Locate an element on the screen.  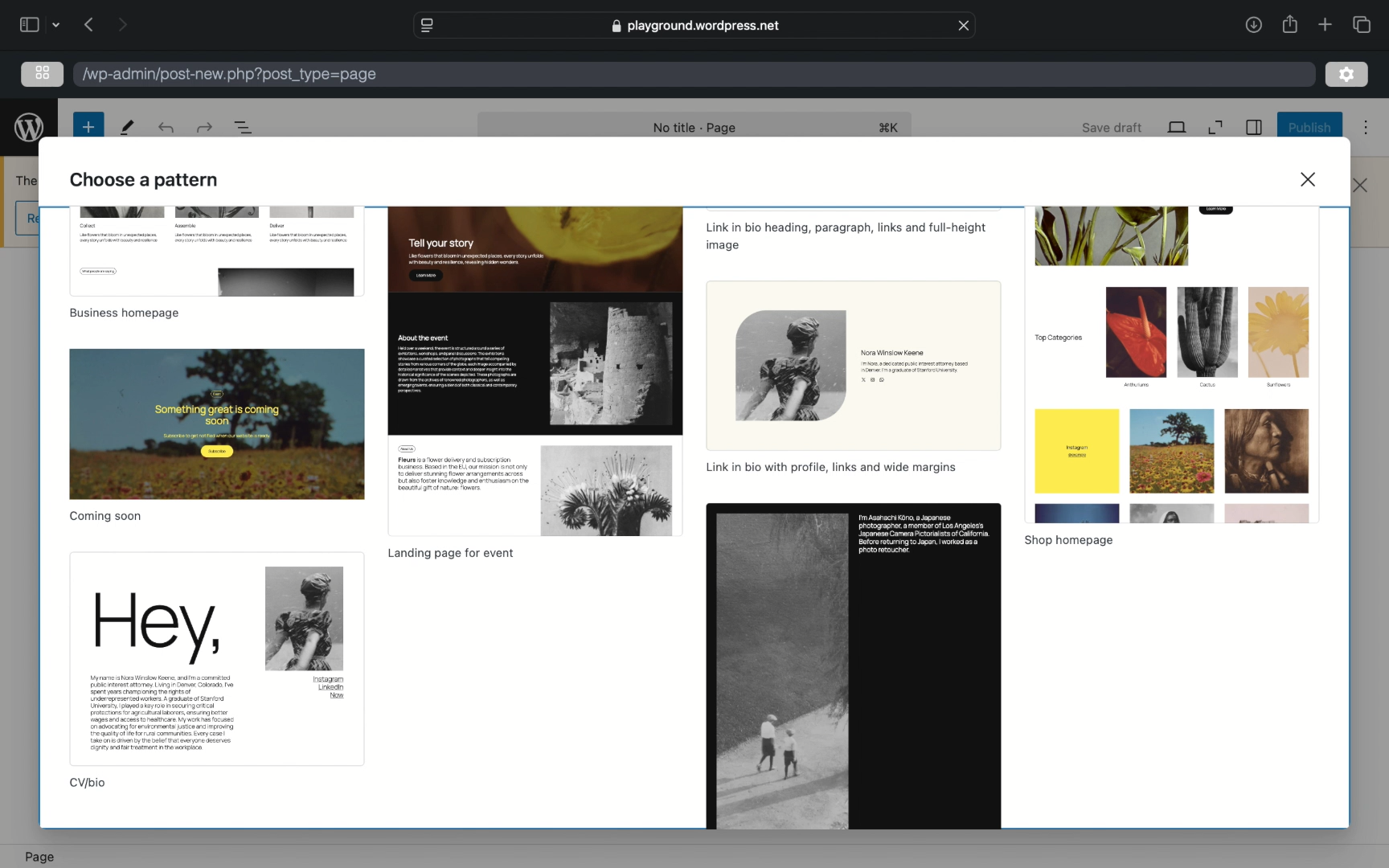
landing page for event is located at coordinates (449, 554).